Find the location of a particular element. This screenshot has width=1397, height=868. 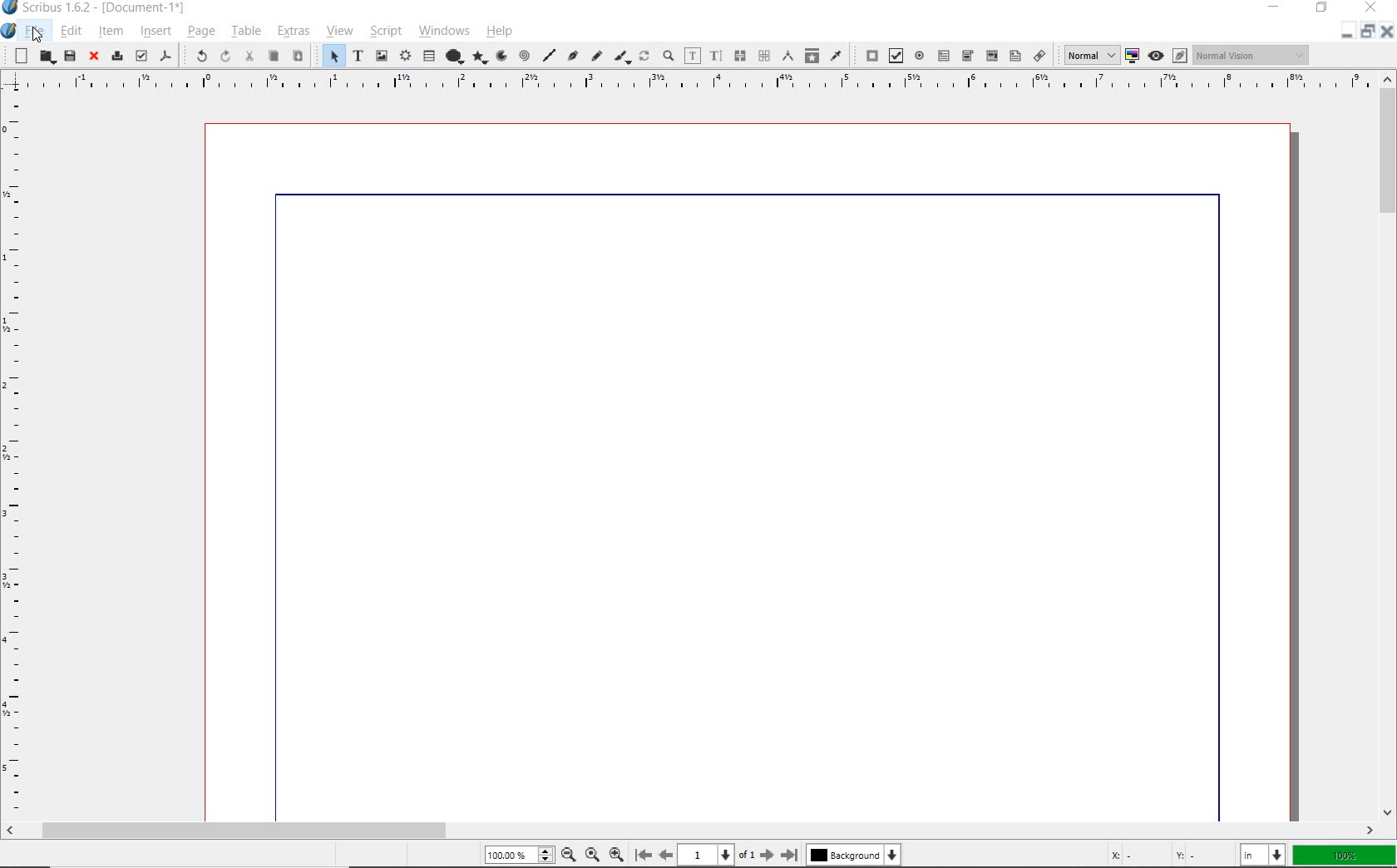

edit contents of frame is located at coordinates (694, 57).